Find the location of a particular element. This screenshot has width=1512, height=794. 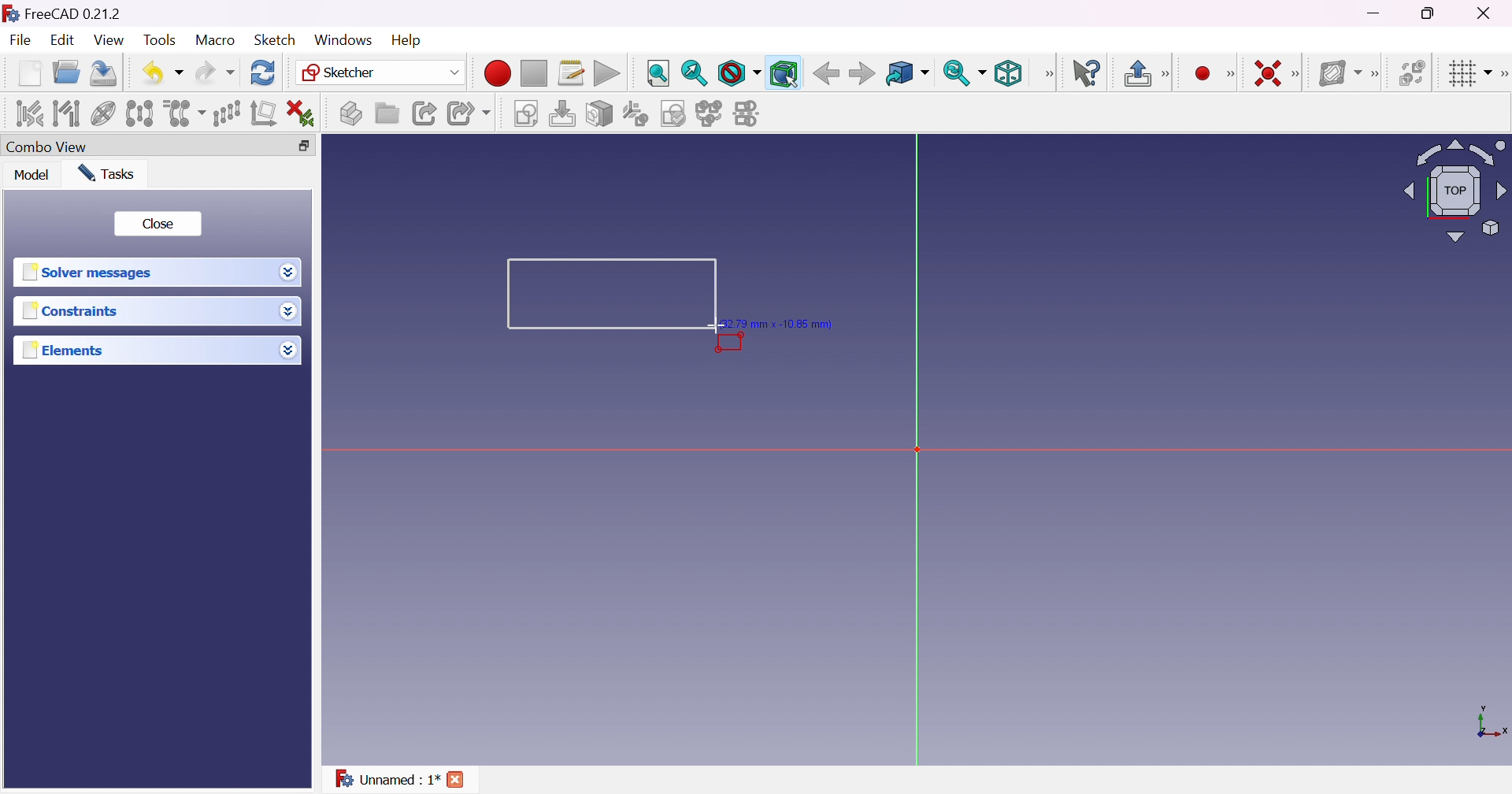

Reorient sketch... is located at coordinates (634, 114).